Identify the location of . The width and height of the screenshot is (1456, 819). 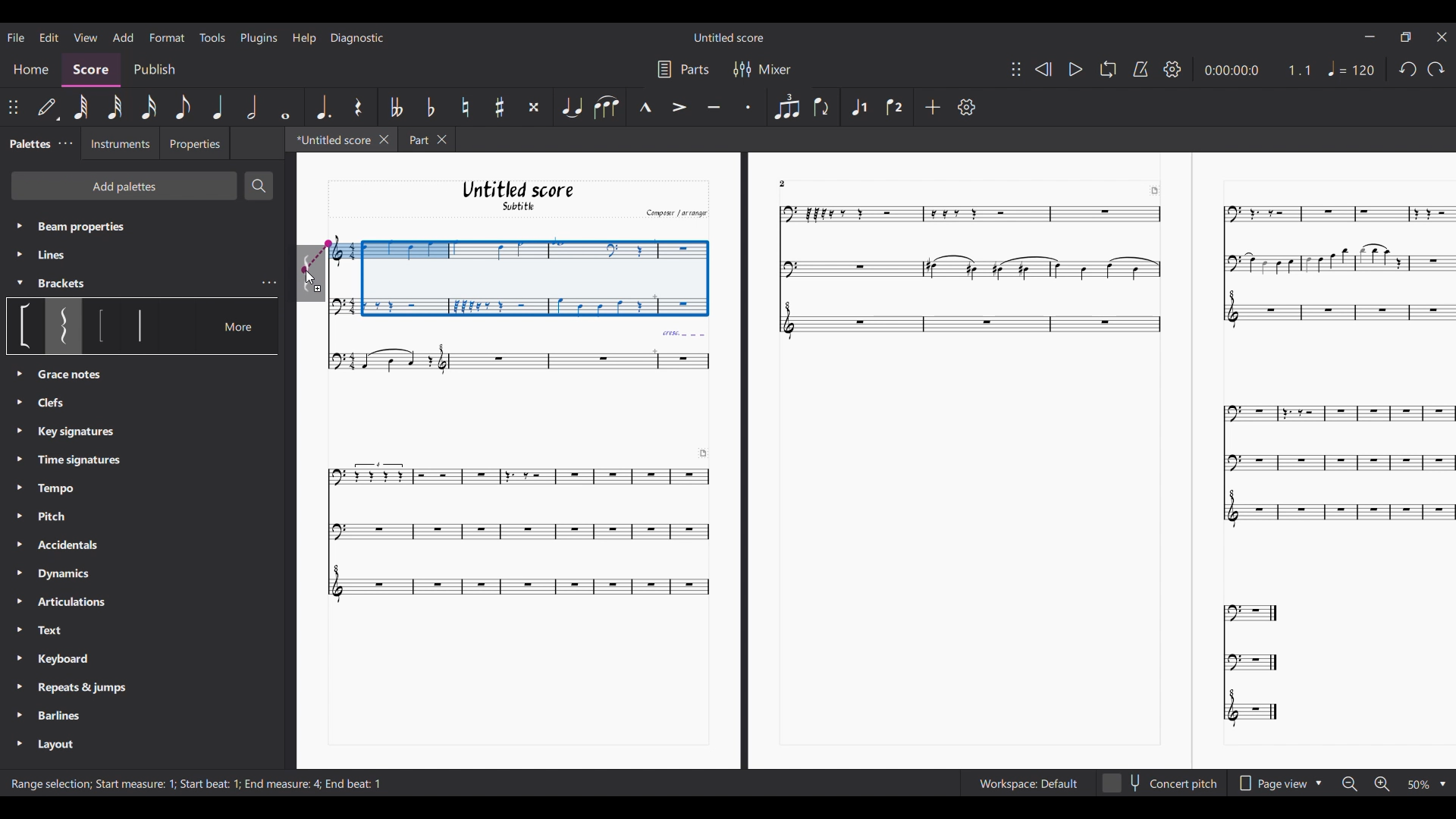
(969, 268).